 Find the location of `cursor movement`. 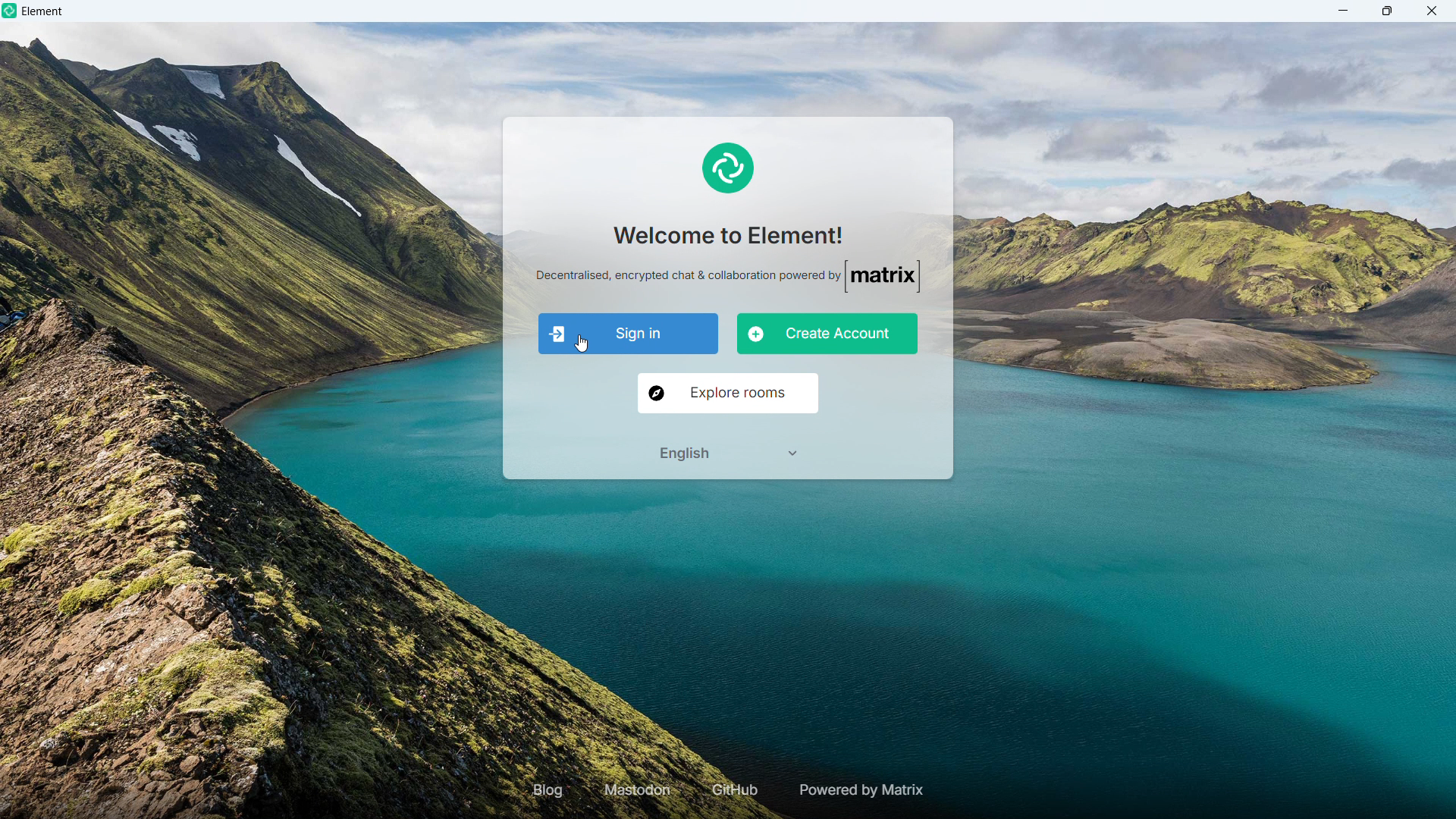

cursor movement is located at coordinates (585, 344).